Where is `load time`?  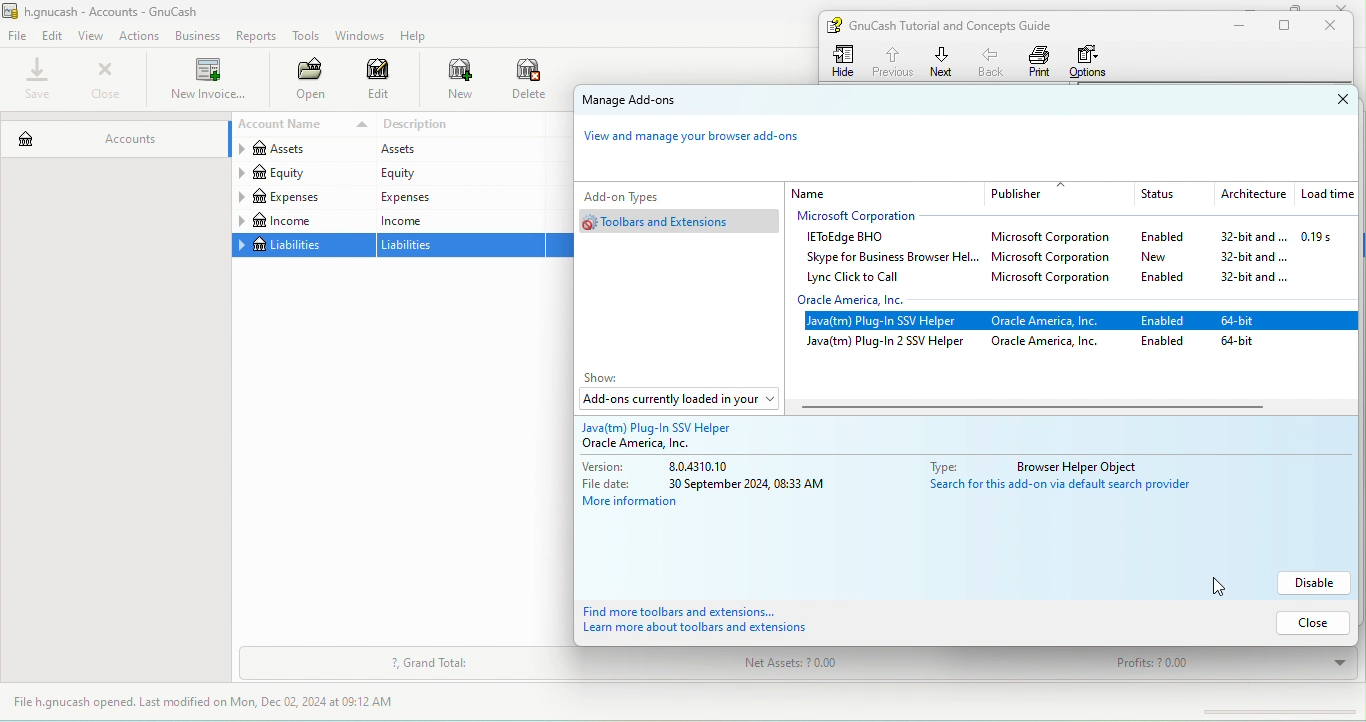
load time is located at coordinates (1325, 195).